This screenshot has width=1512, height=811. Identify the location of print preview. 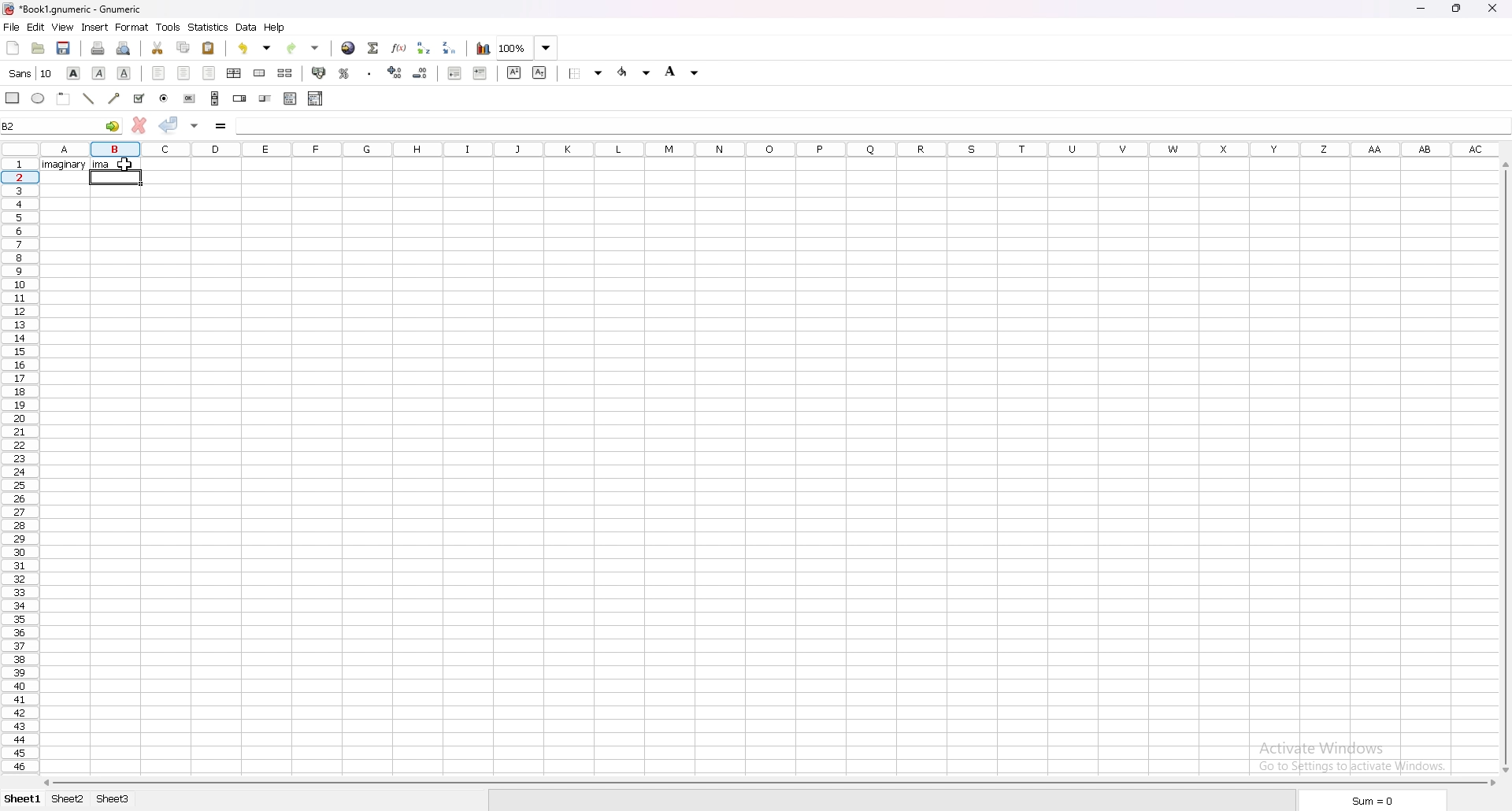
(125, 49).